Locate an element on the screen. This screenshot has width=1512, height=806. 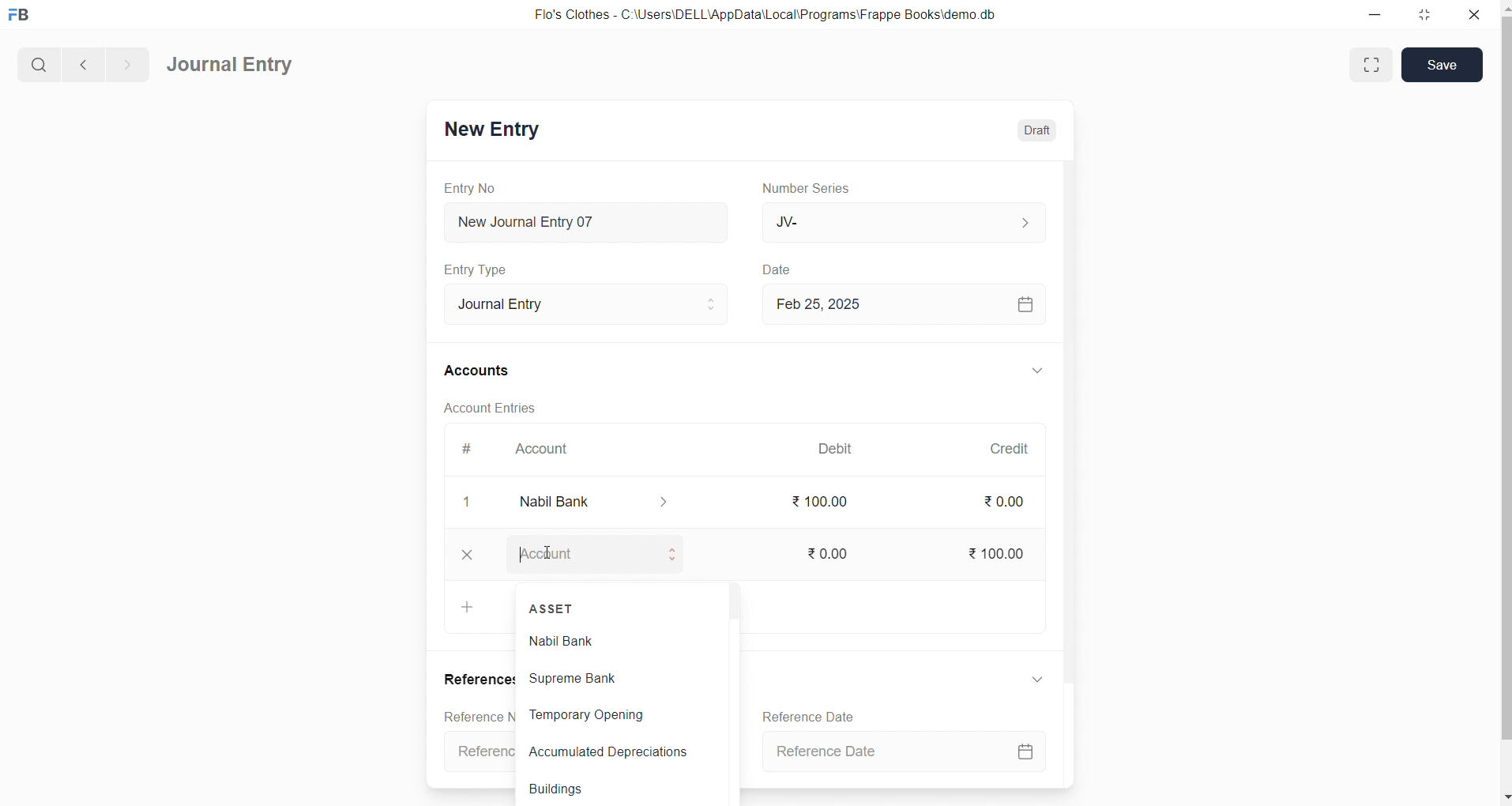
minimize is located at coordinates (1376, 16).